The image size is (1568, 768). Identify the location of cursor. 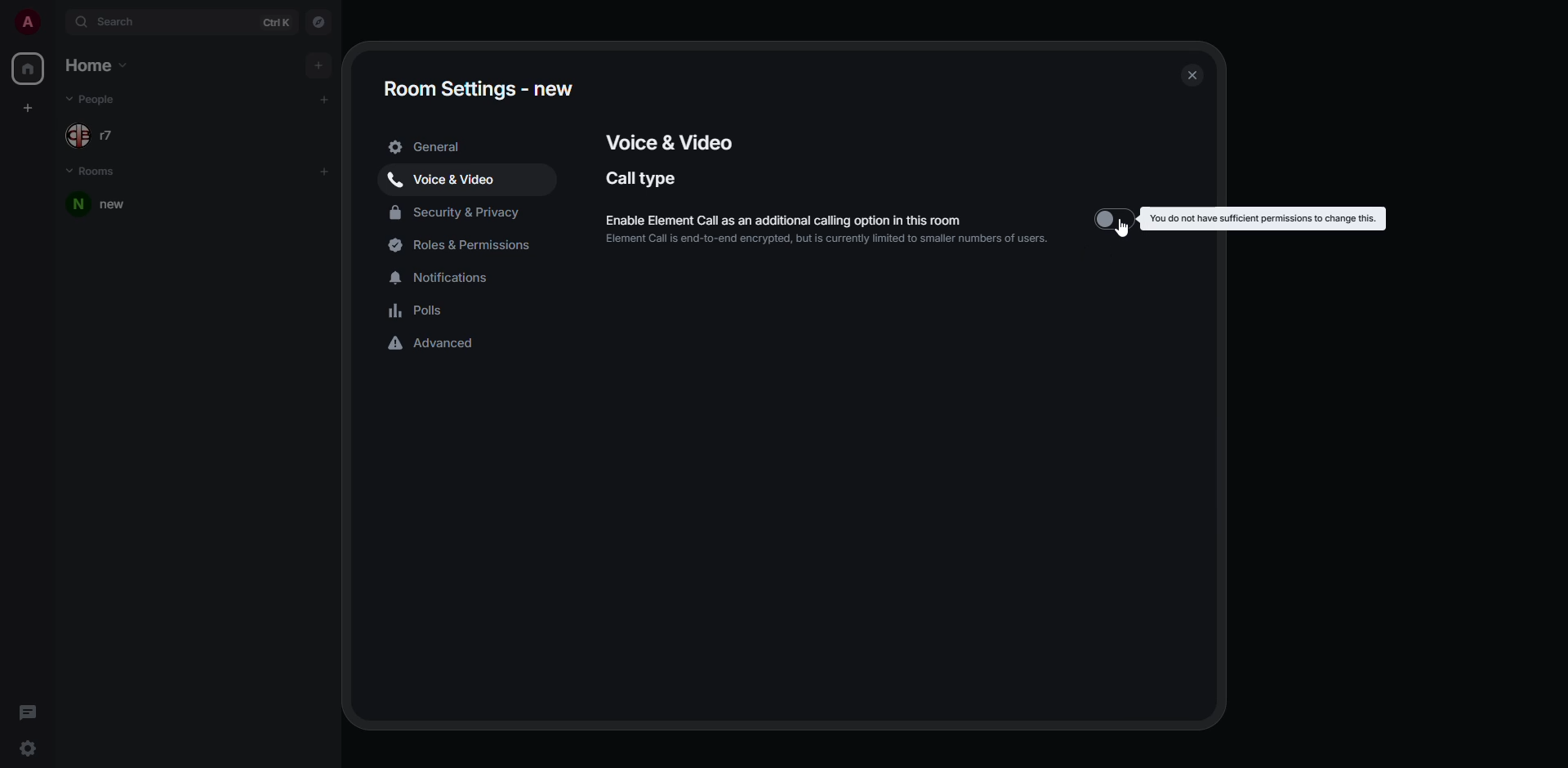
(1125, 230).